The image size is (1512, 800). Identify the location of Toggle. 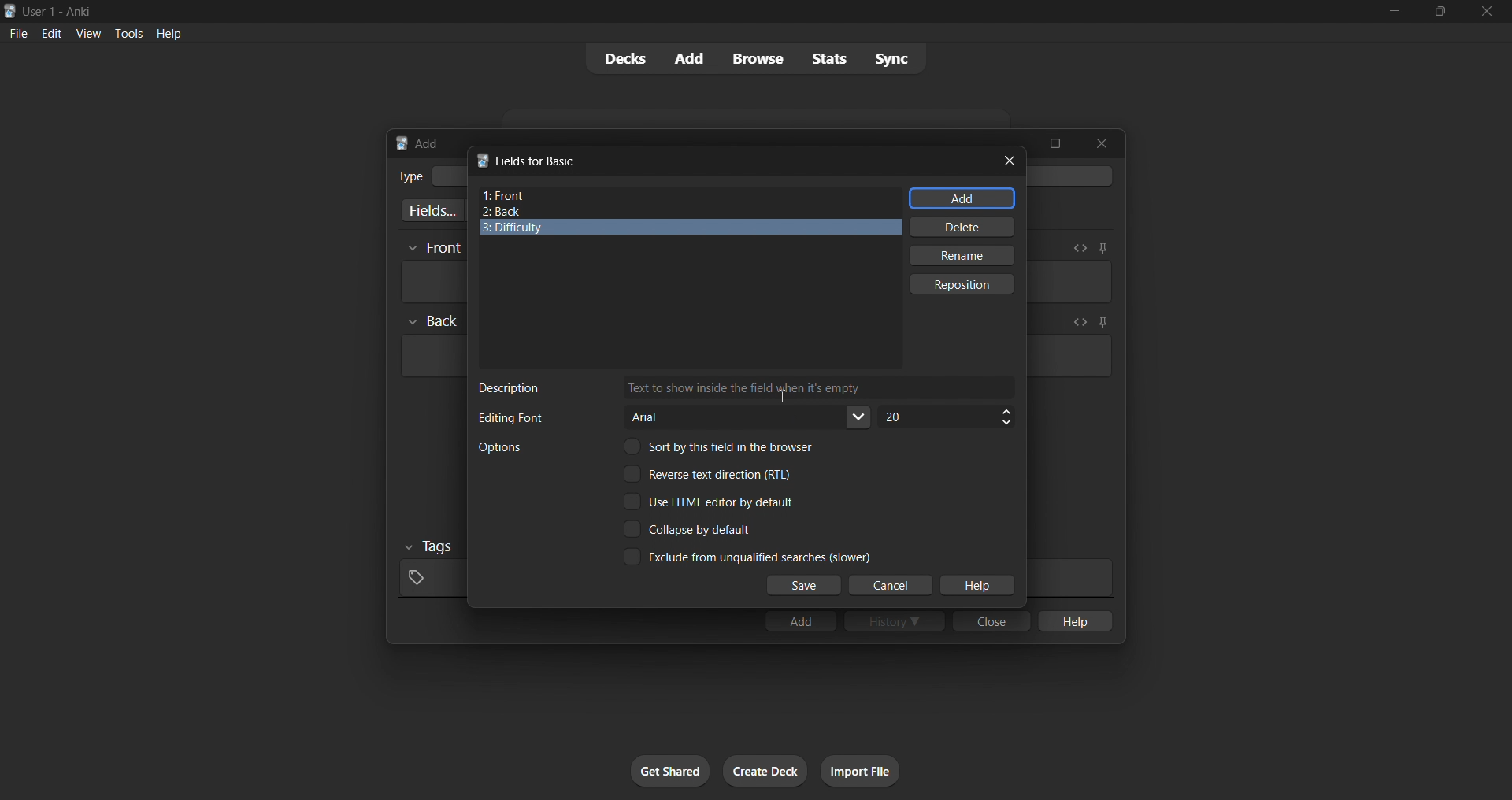
(710, 473).